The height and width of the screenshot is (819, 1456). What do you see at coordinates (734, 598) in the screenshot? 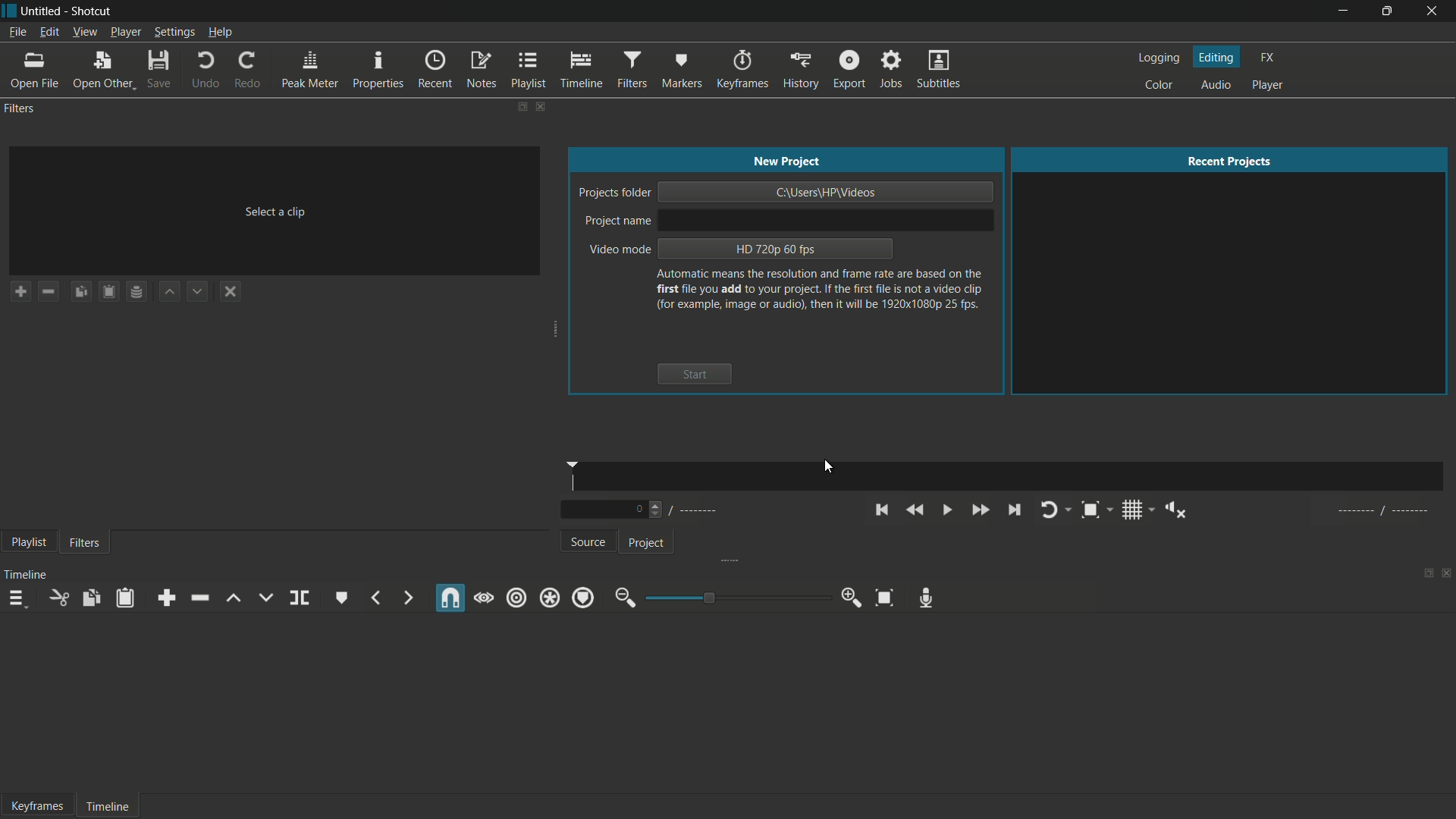
I see `adjustment bar` at bounding box center [734, 598].